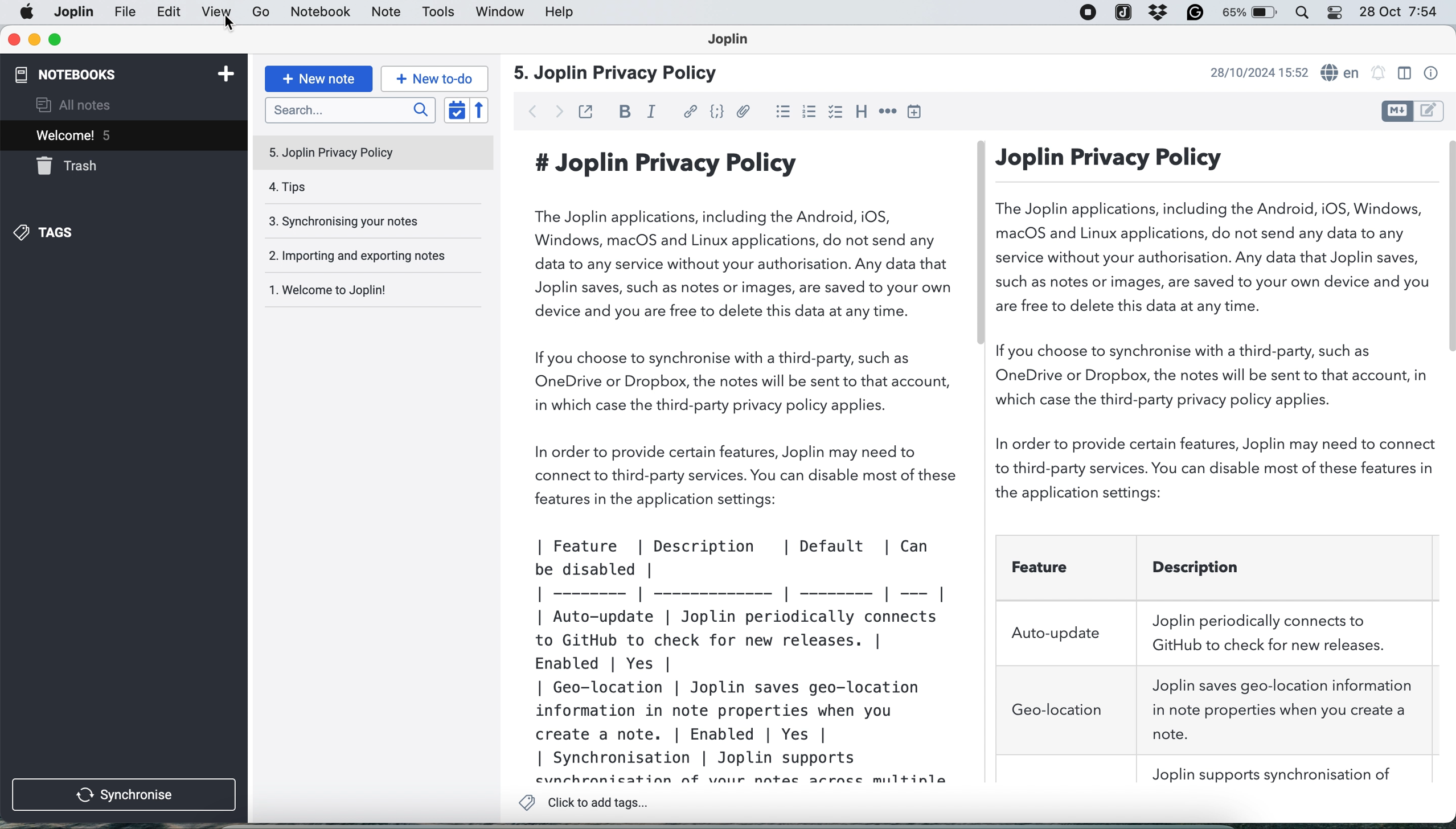  Describe the element at coordinates (72, 73) in the screenshot. I see `notebooks` at that location.